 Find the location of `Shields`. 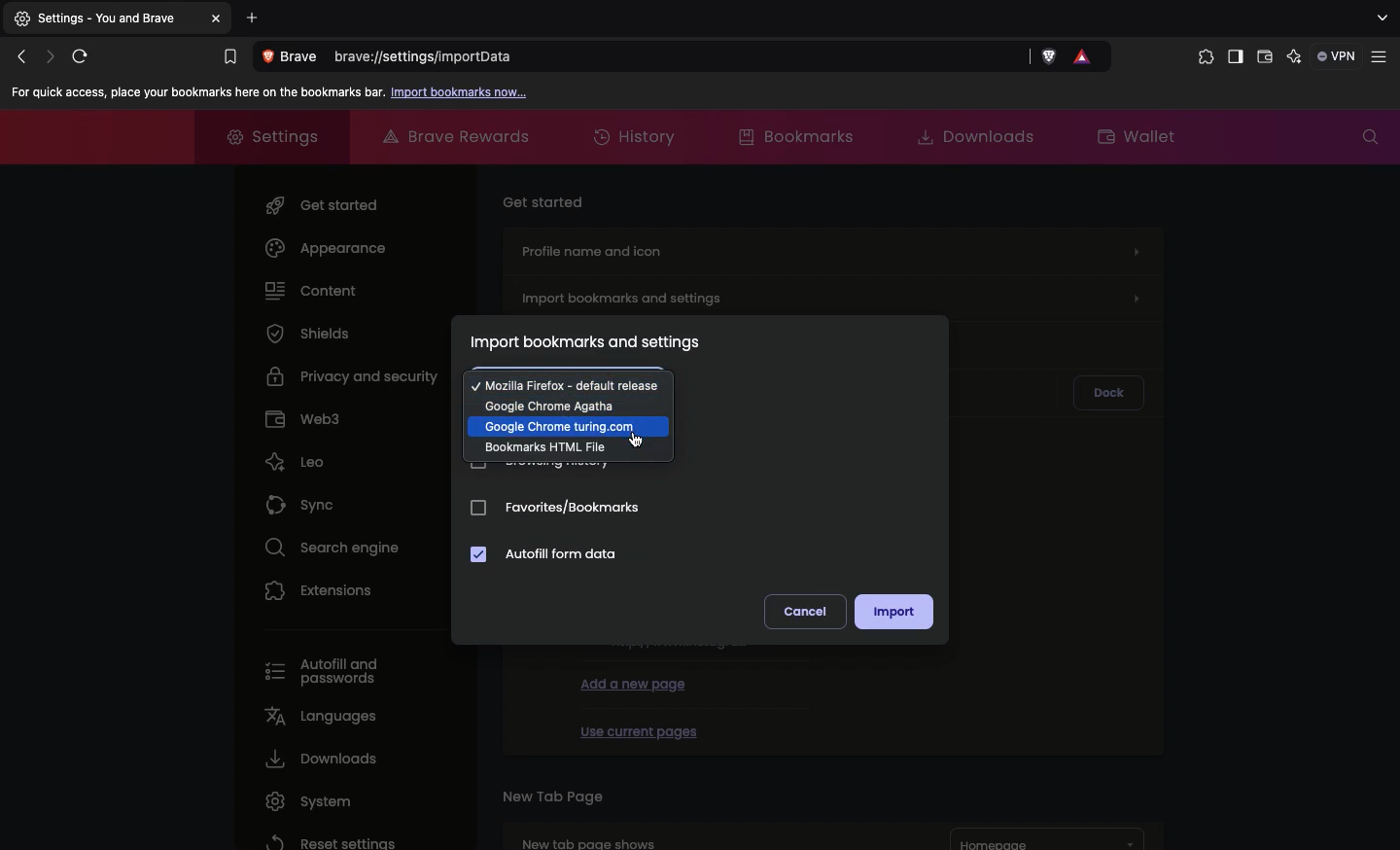

Shields is located at coordinates (308, 333).